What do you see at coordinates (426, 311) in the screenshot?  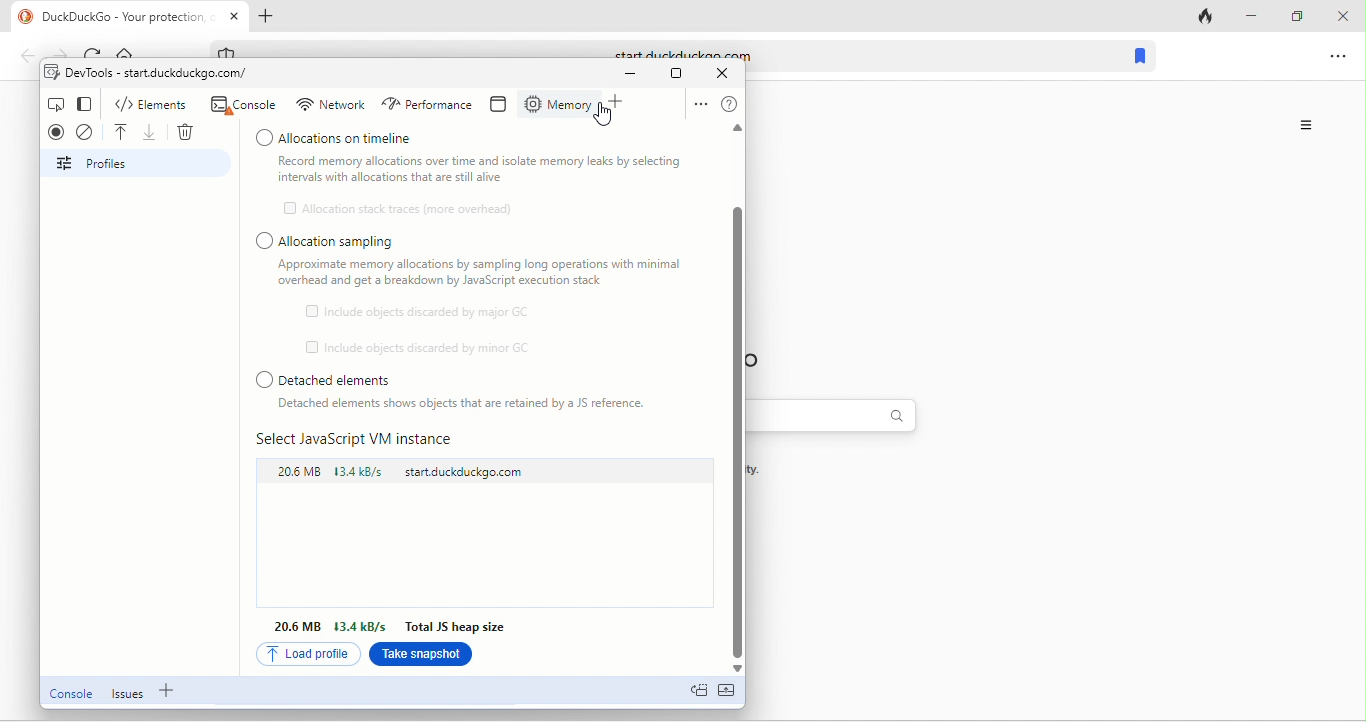 I see `include objects discarded by major gc` at bounding box center [426, 311].